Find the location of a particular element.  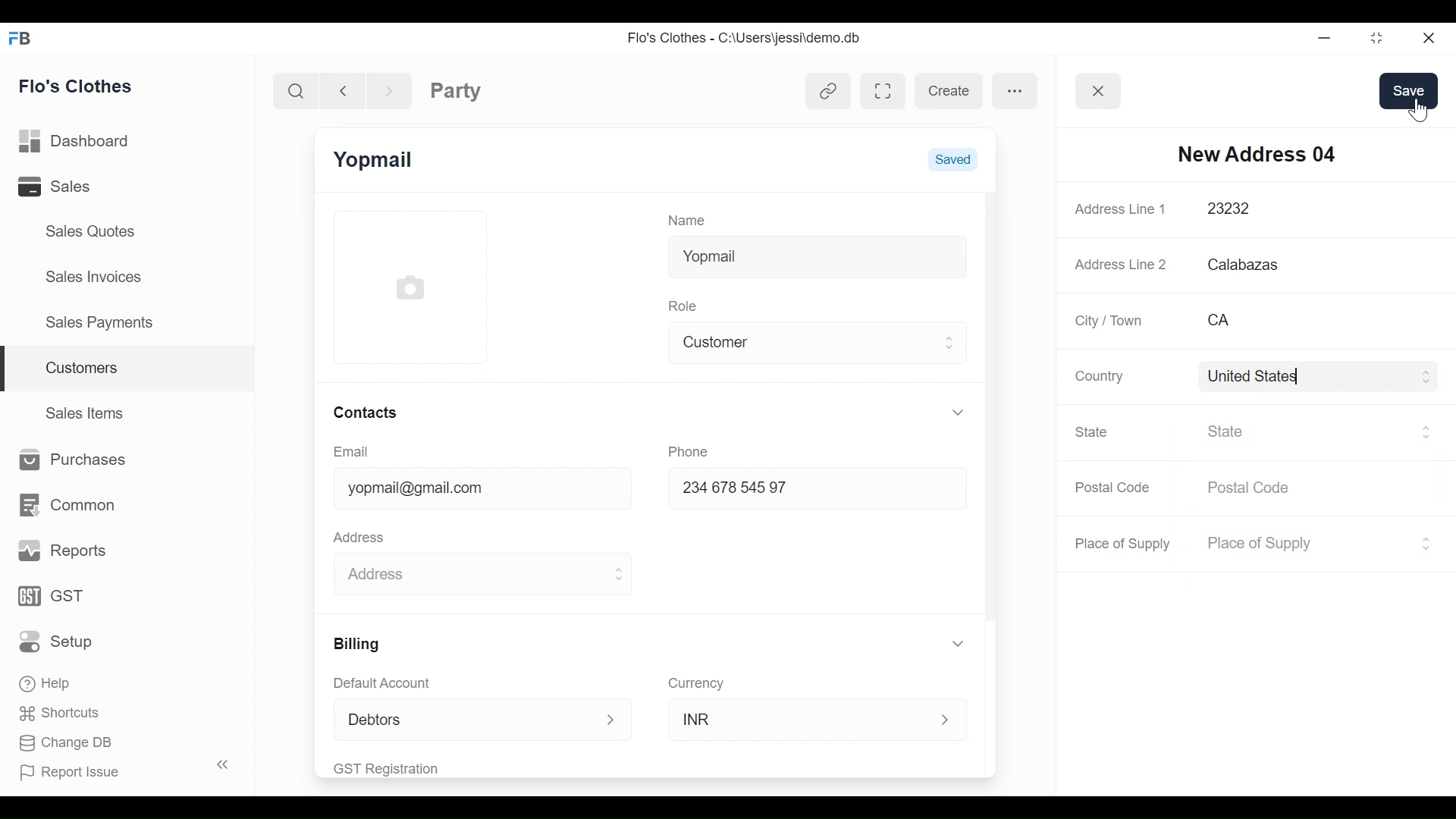

CA is located at coordinates (1299, 320).